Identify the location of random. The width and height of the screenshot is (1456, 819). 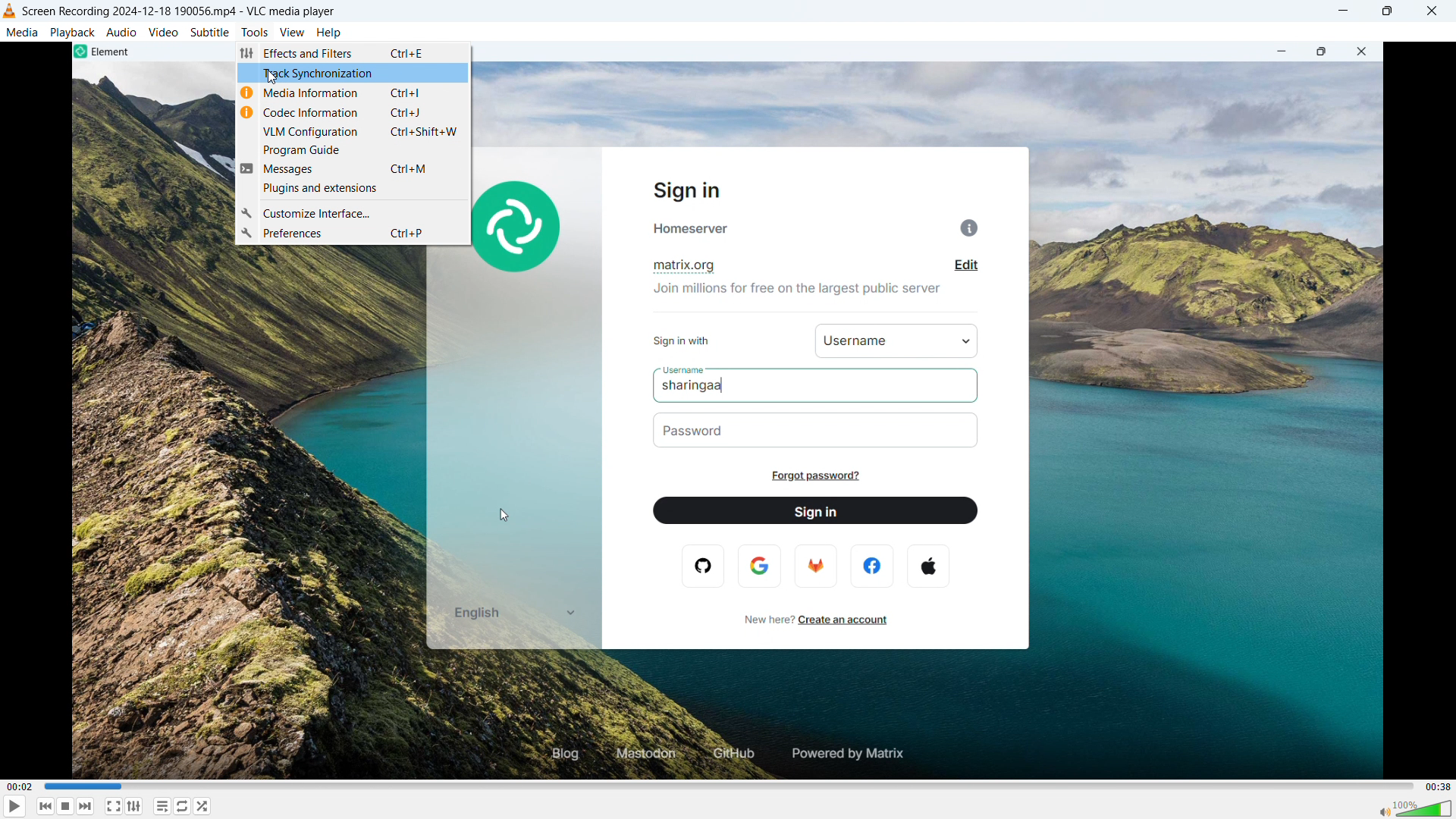
(202, 806).